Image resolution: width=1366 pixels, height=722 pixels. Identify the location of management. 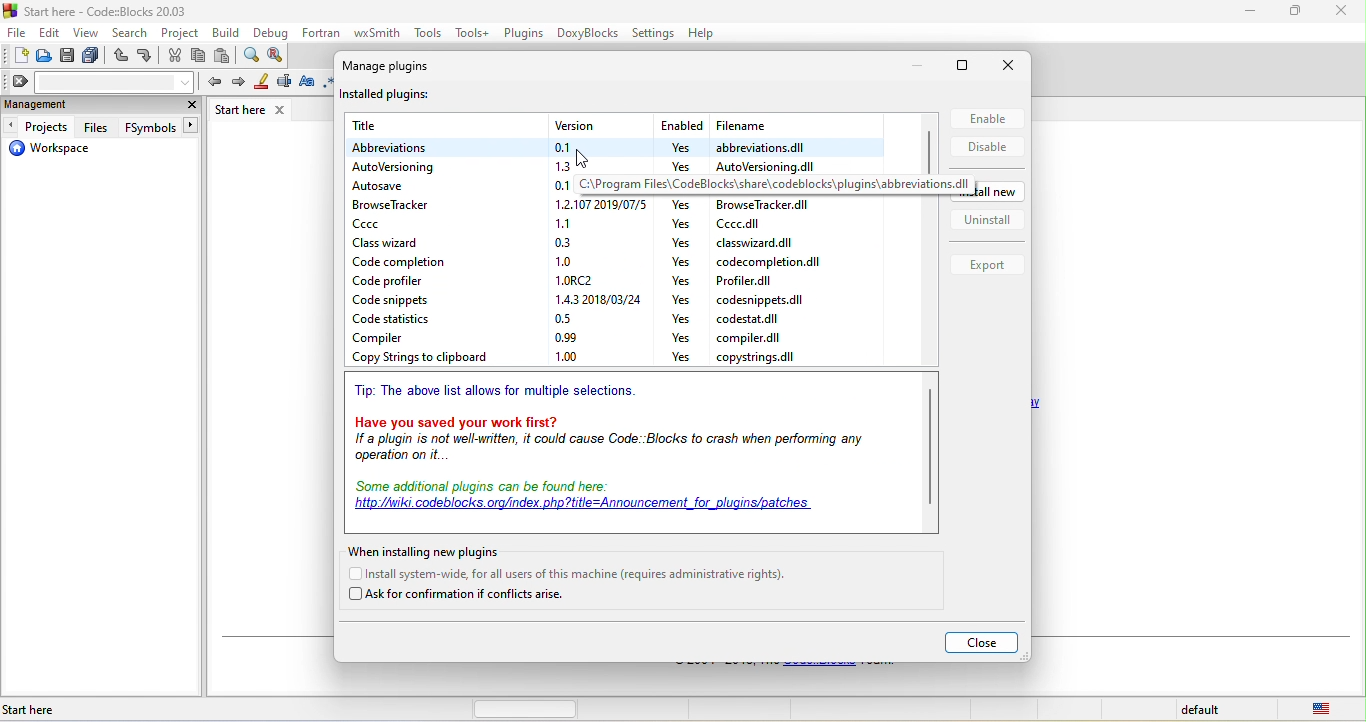
(85, 105).